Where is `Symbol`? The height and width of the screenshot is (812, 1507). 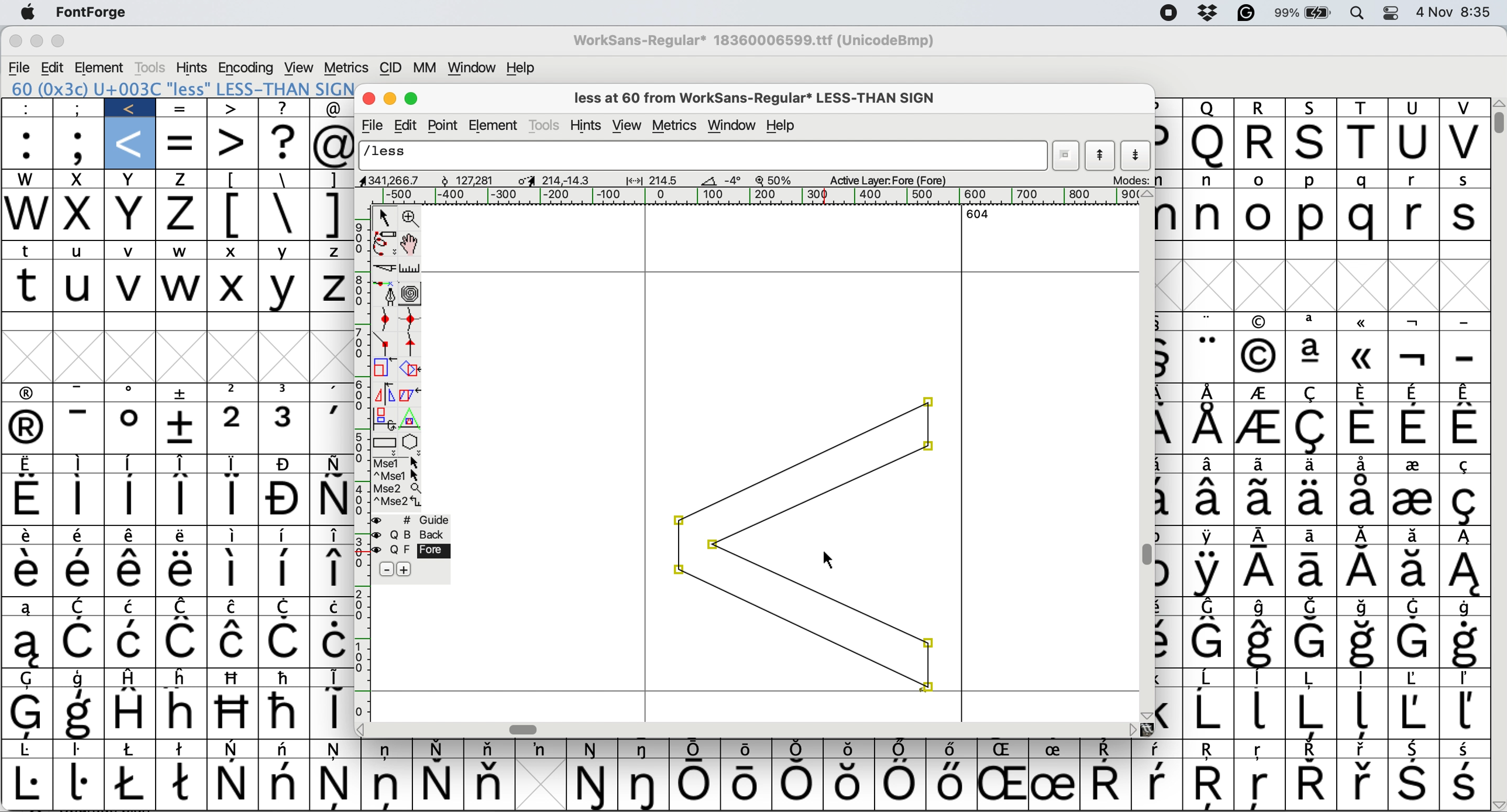 Symbol is located at coordinates (184, 607).